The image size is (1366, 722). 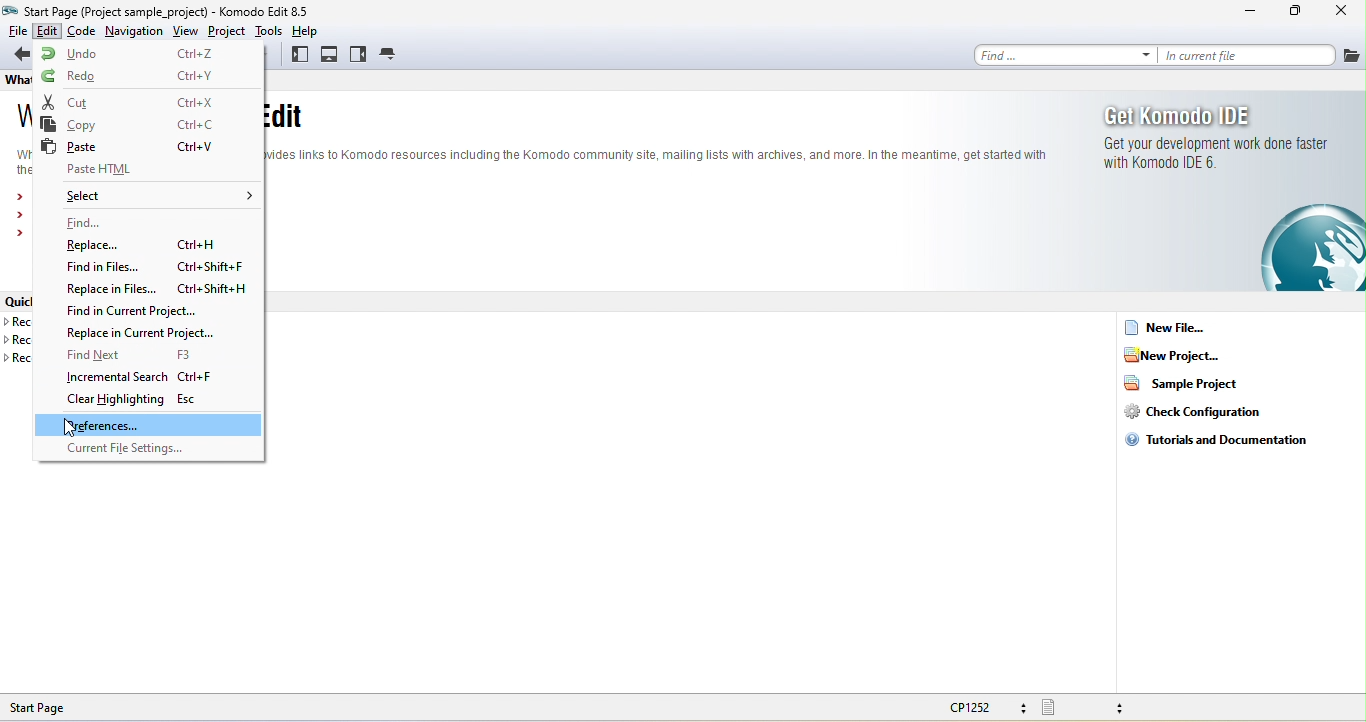 What do you see at coordinates (154, 196) in the screenshot?
I see `select` at bounding box center [154, 196].